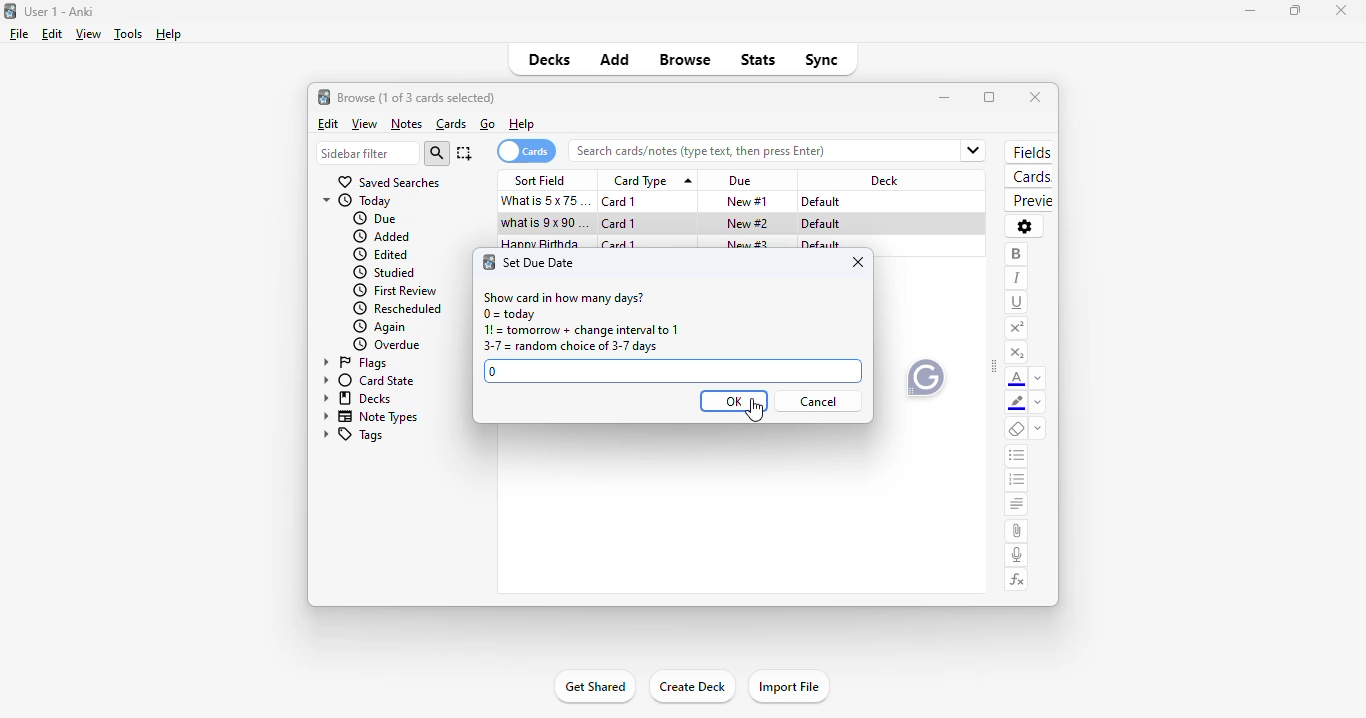 The height and width of the screenshot is (718, 1366). Describe the element at coordinates (365, 125) in the screenshot. I see `view` at that location.